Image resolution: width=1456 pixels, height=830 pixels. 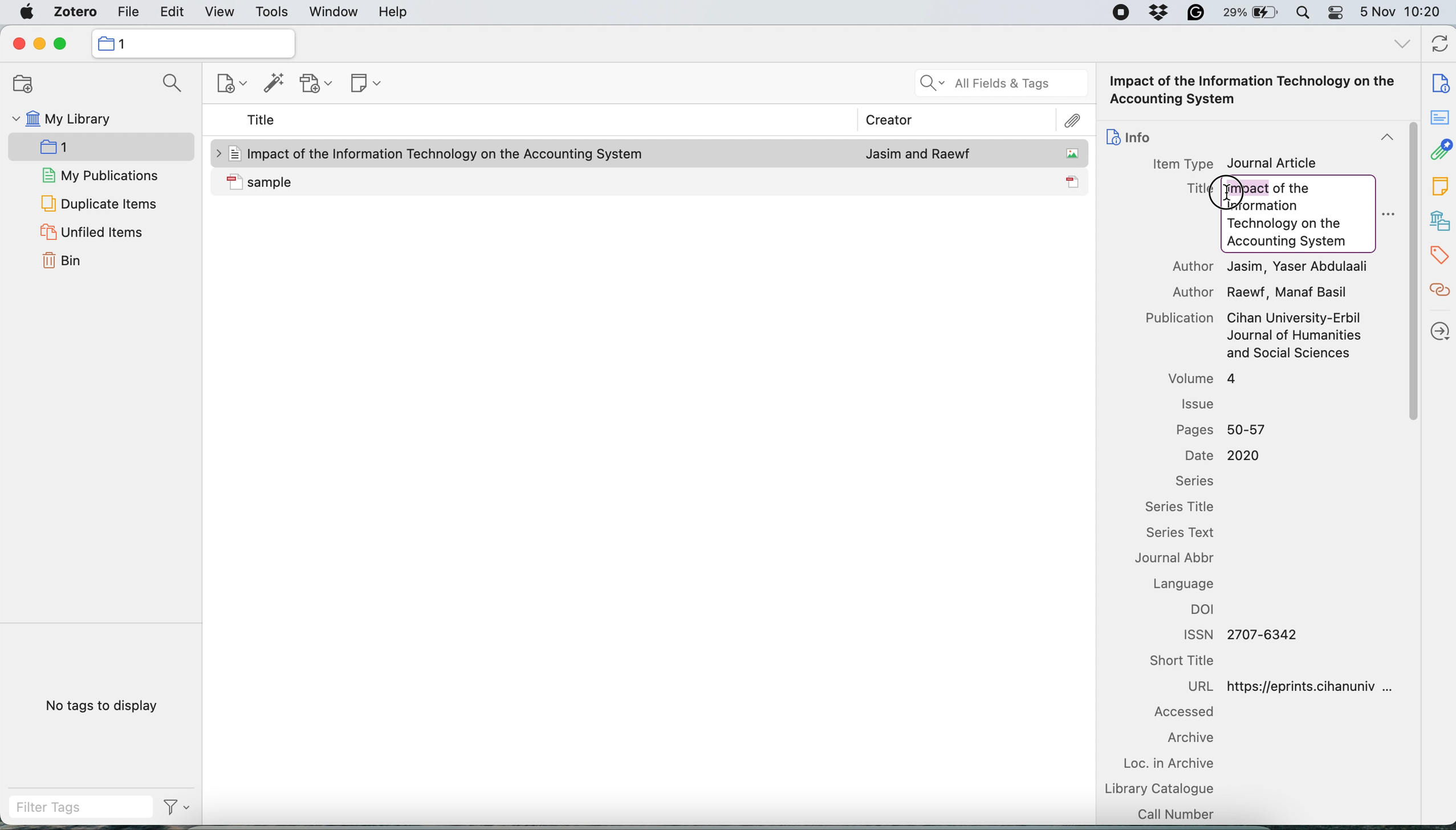 What do you see at coordinates (1244, 634) in the screenshot?
I see `ISSN 2707-6342` at bounding box center [1244, 634].